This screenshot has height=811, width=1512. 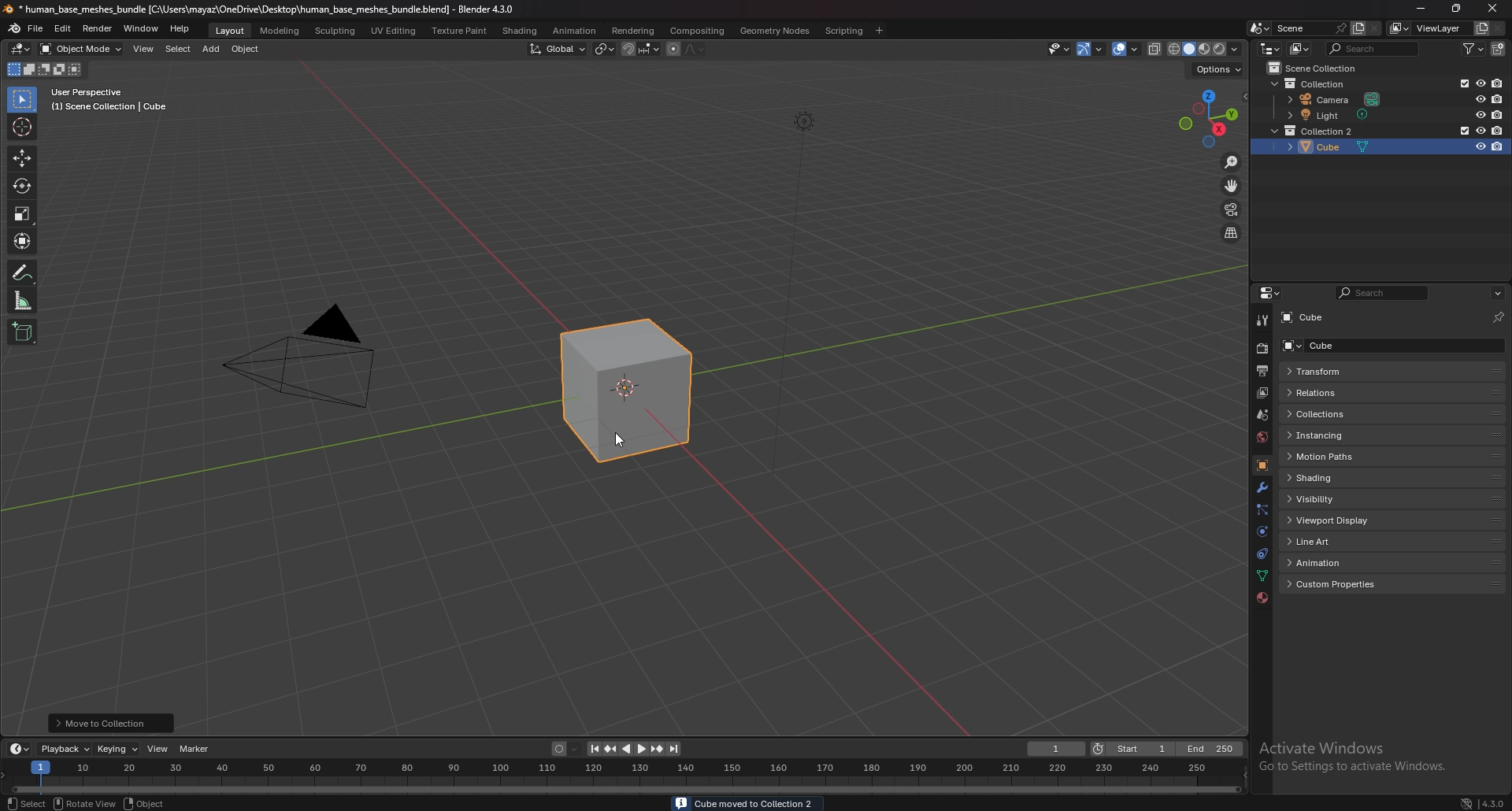 I want to click on search, so click(x=1375, y=48).